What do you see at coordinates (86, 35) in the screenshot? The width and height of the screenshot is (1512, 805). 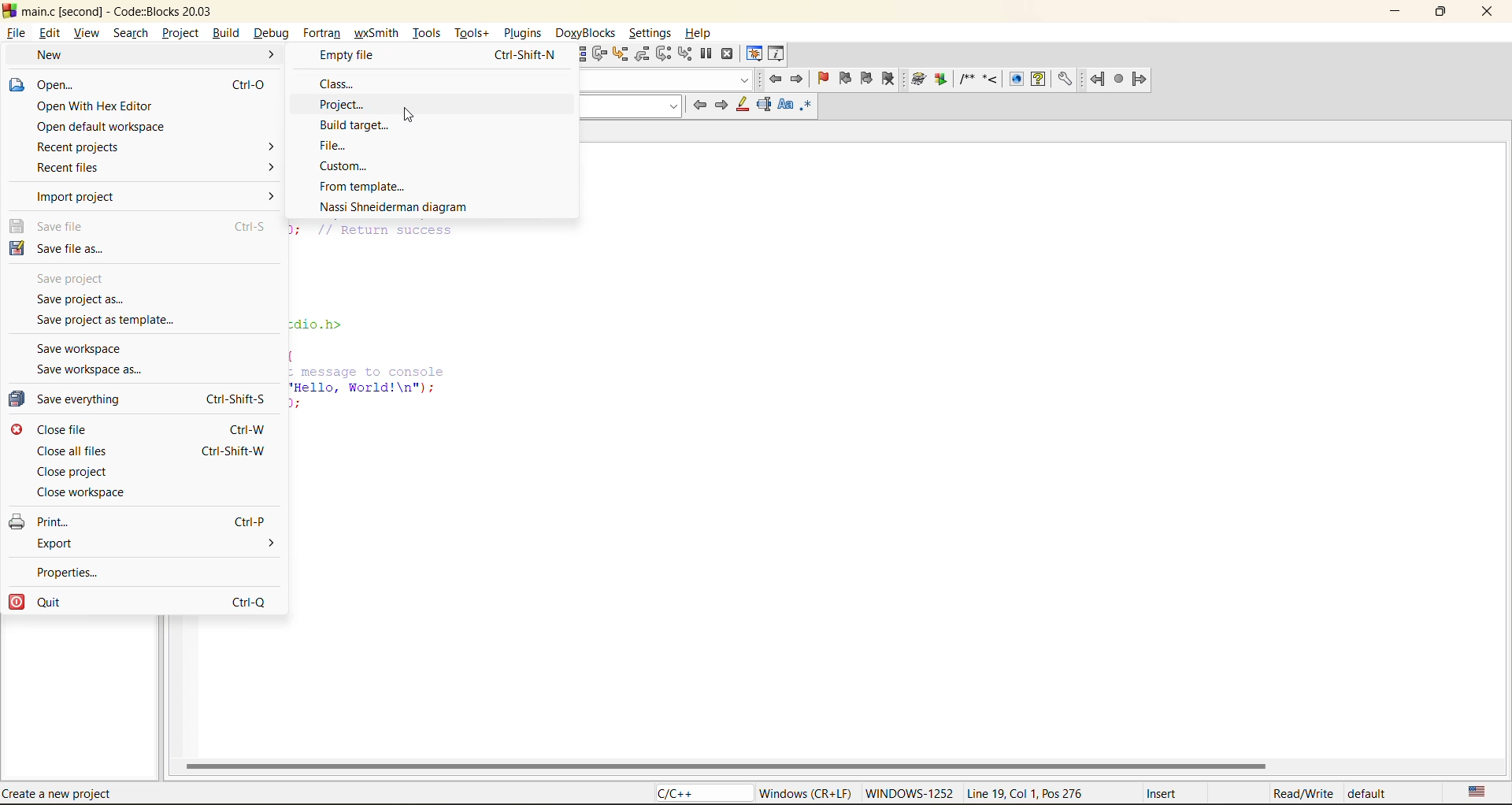 I see `view` at bounding box center [86, 35].